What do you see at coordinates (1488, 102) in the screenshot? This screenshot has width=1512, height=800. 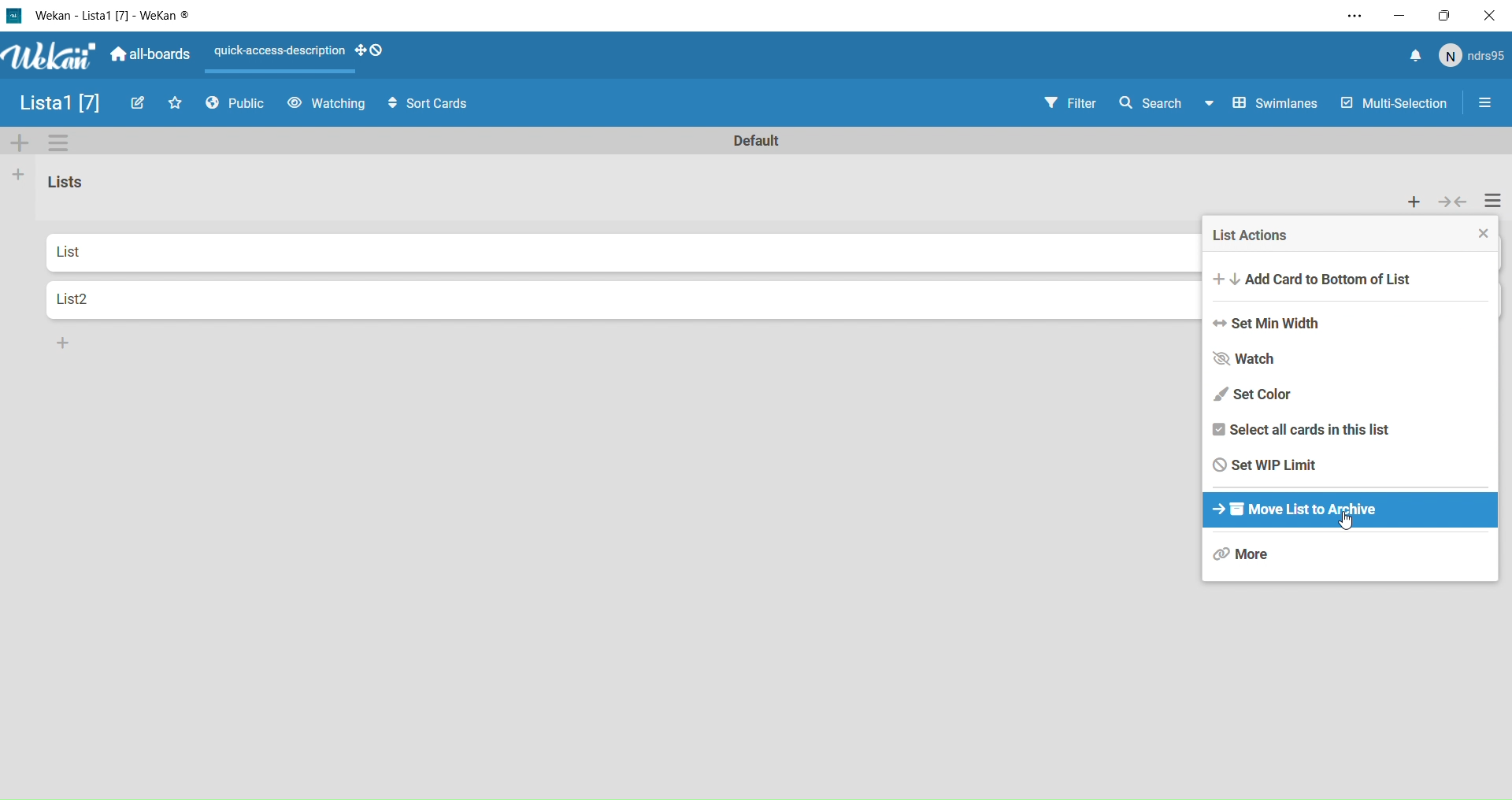 I see `Settings` at bounding box center [1488, 102].